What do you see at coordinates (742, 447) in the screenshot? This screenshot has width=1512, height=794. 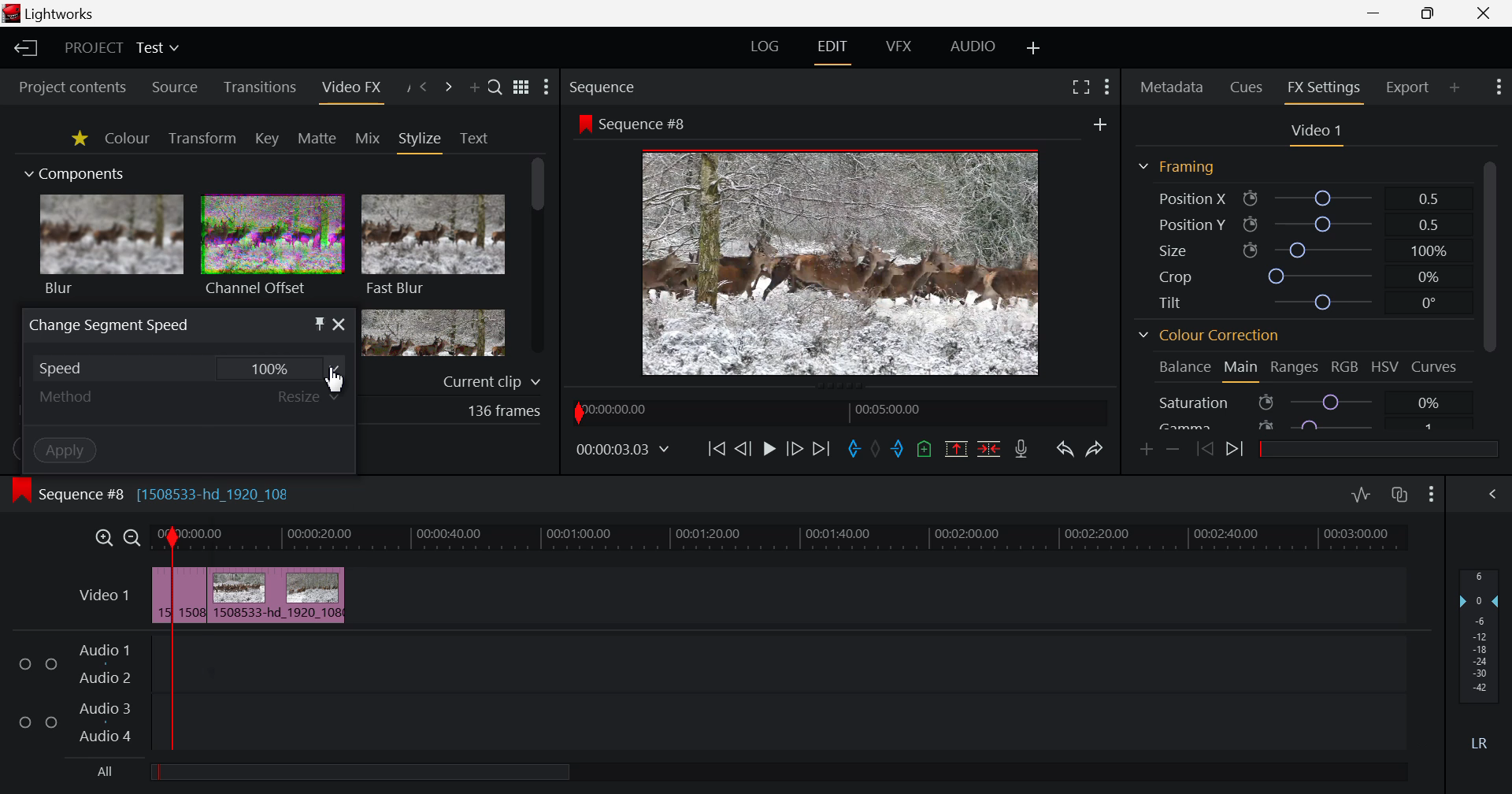 I see `Go Back` at bounding box center [742, 447].